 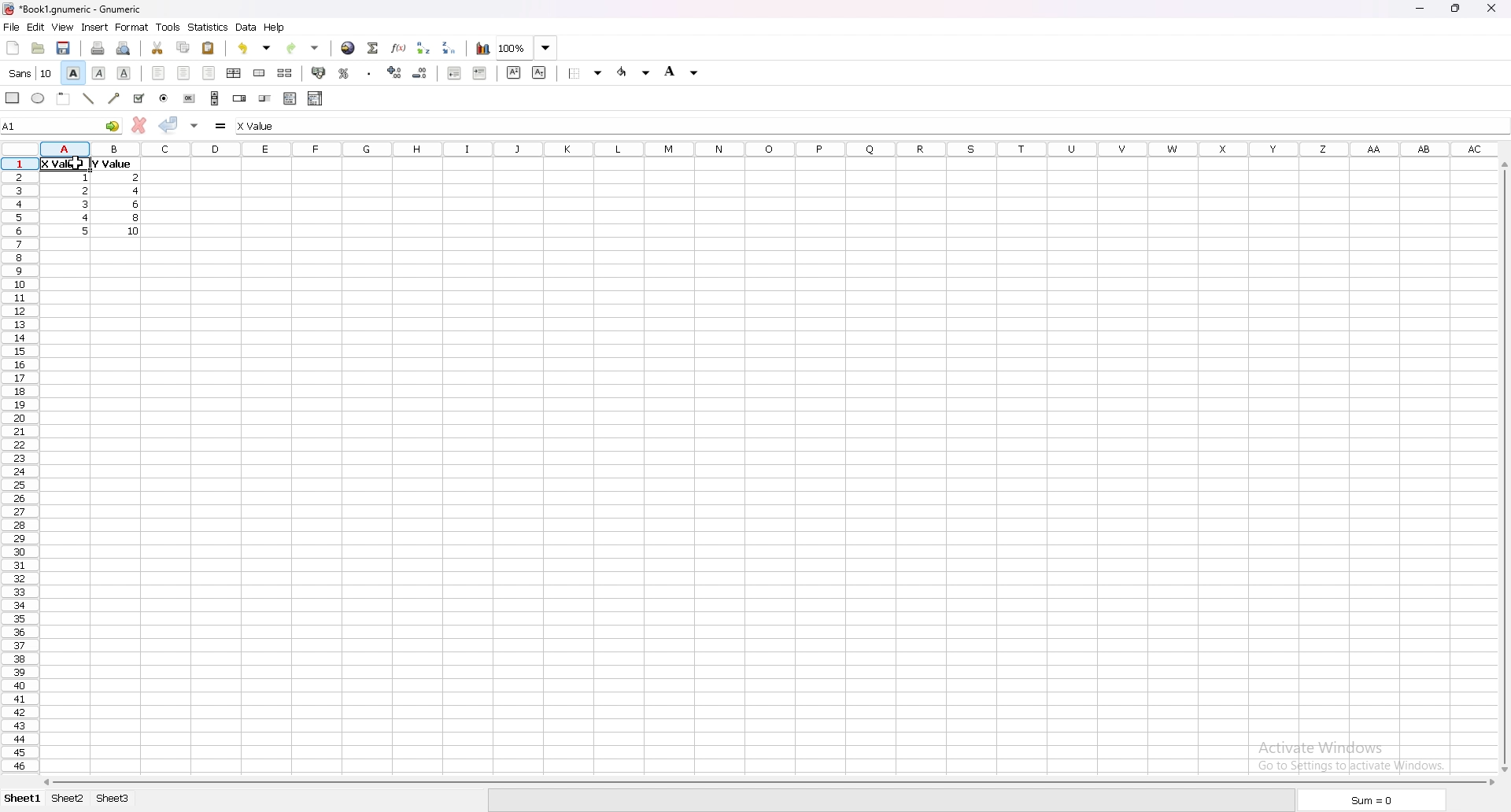 What do you see at coordinates (168, 124) in the screenshot?
I see `accept change` at bounding box center [168, 124].